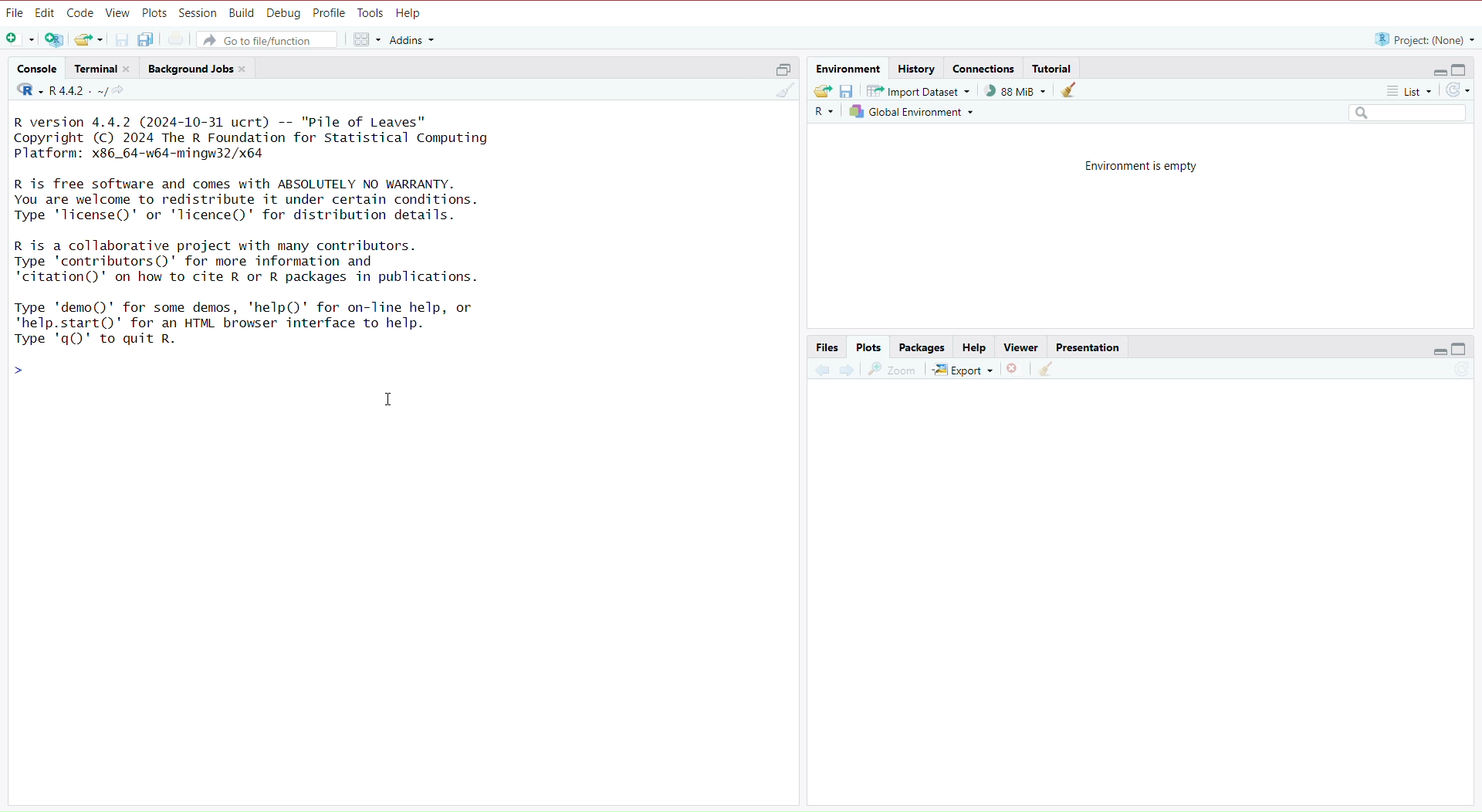 The width and height of the screenshot is (1482, 812). Describe the element at coordinates (1401, 90) in the screenshot. I see `list` at that location.